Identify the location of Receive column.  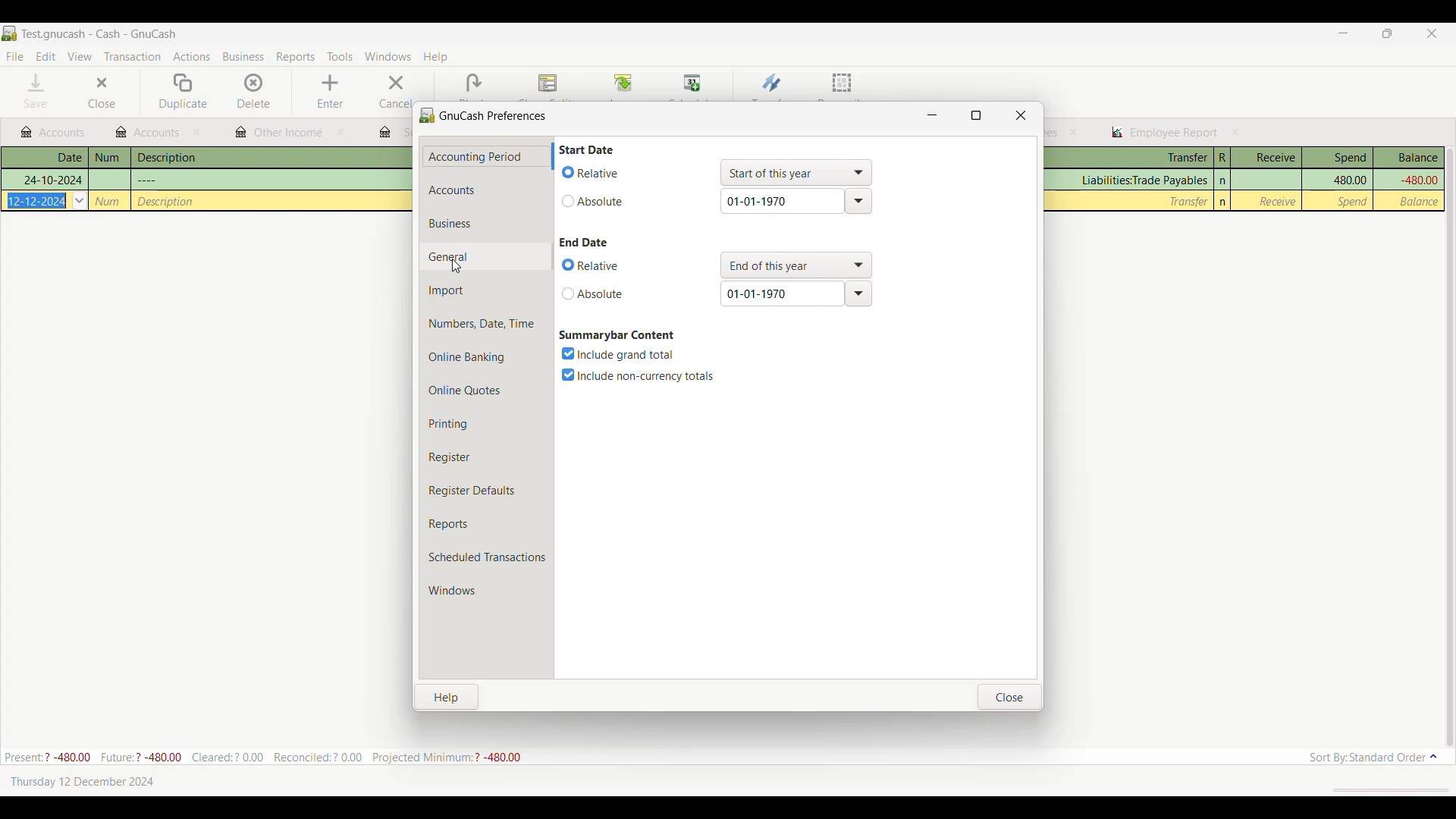
(1266, 158).